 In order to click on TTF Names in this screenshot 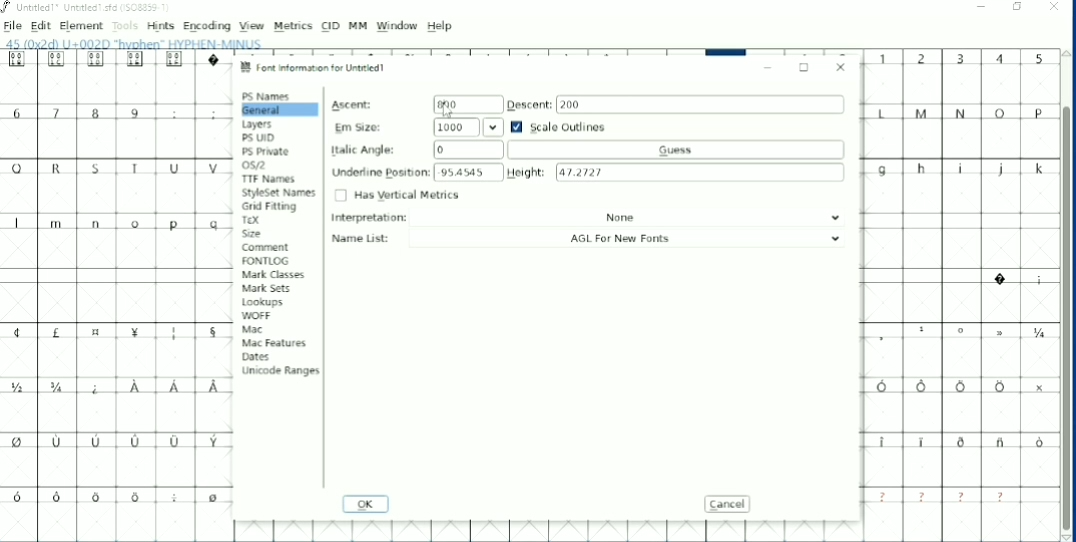, I will do `click(269, 179)`.